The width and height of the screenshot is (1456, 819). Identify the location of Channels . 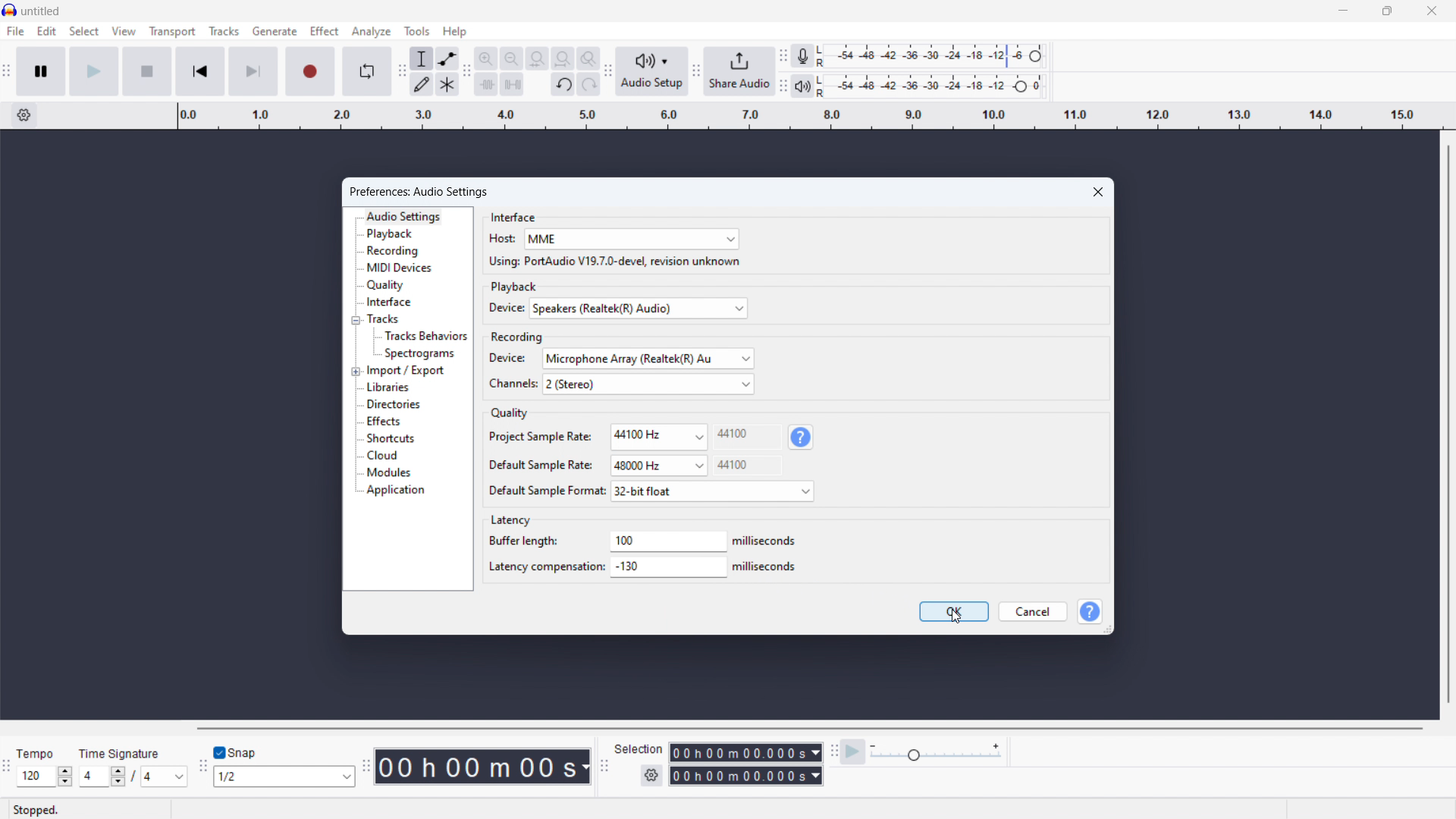
(512, 384).